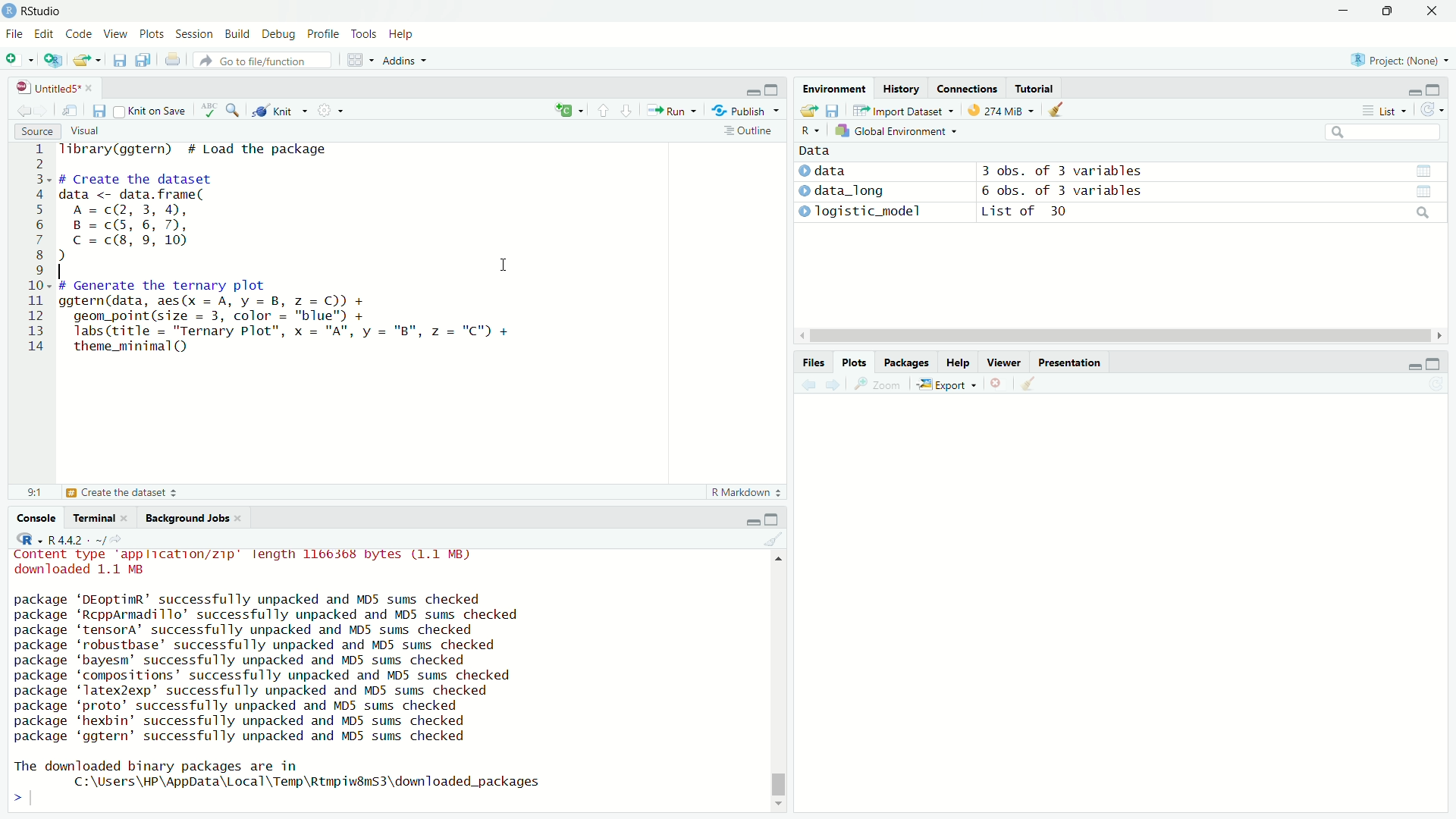 This screenshot has height=819, width=1456. I want to click on Edit, so click(45, 33).